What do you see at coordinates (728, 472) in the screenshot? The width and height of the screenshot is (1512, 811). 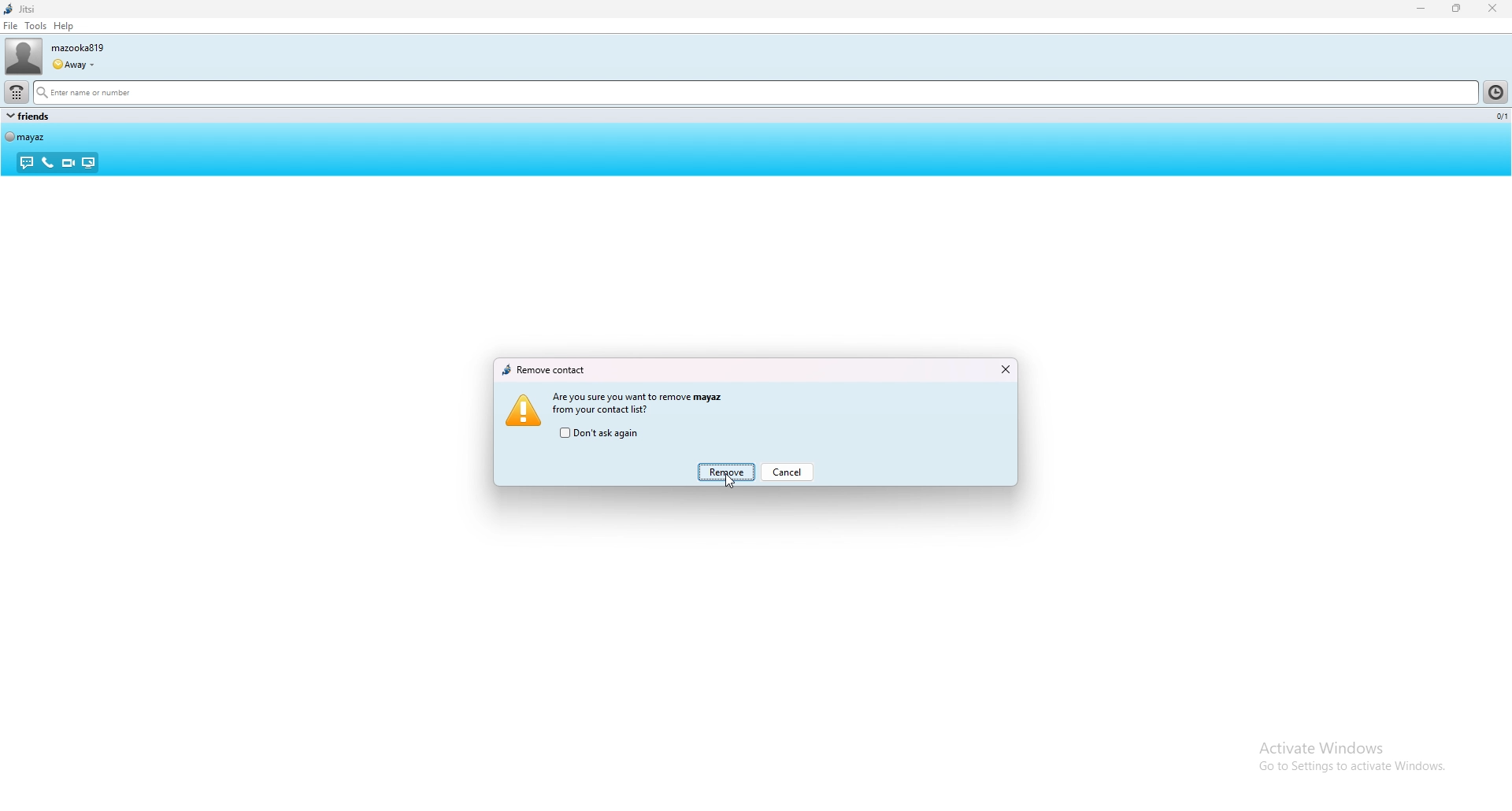 I see `remove` at bounding box center [728, 472].